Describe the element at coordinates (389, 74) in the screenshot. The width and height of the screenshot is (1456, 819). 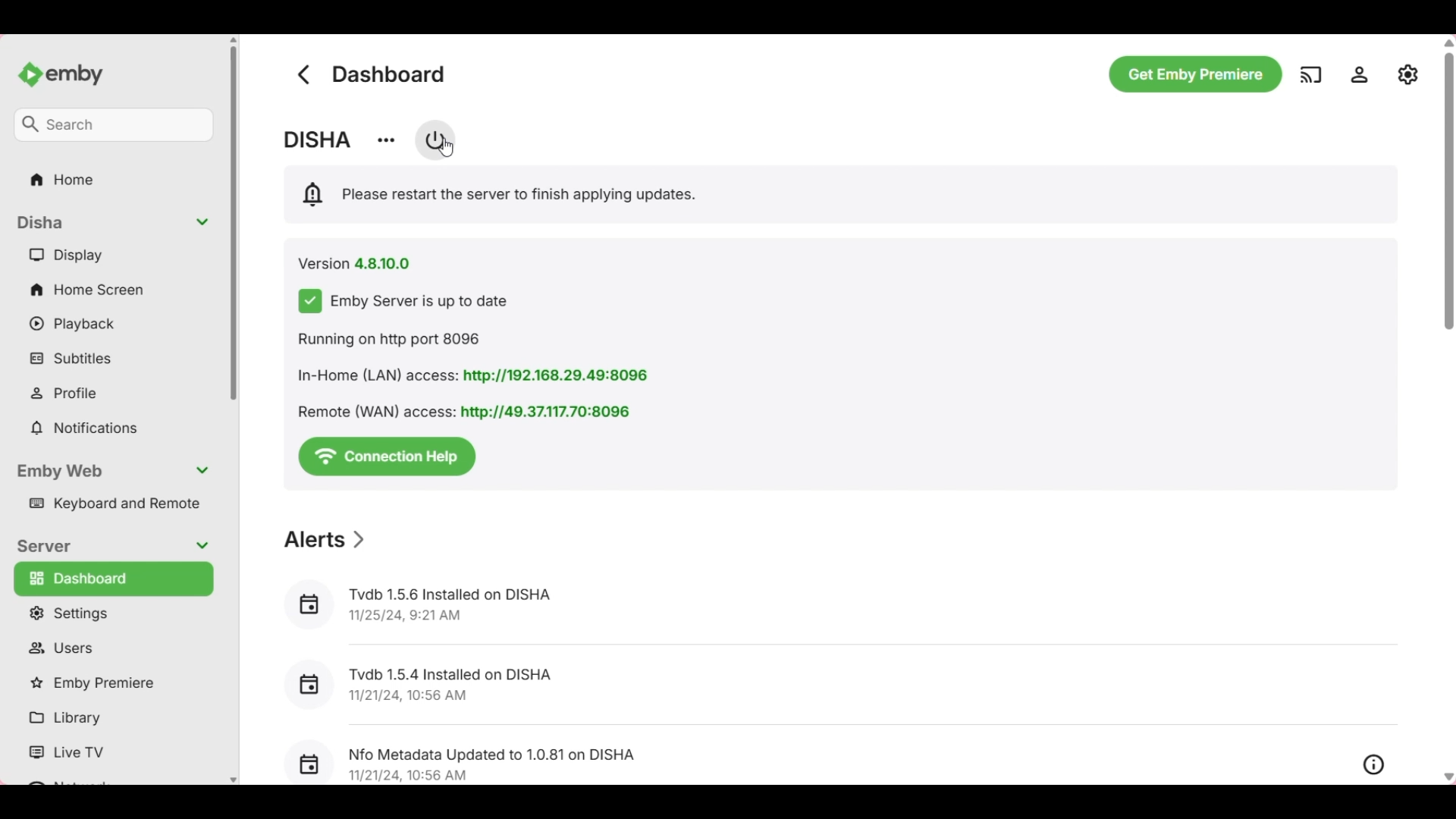
I see `Title of current page ` at that location.